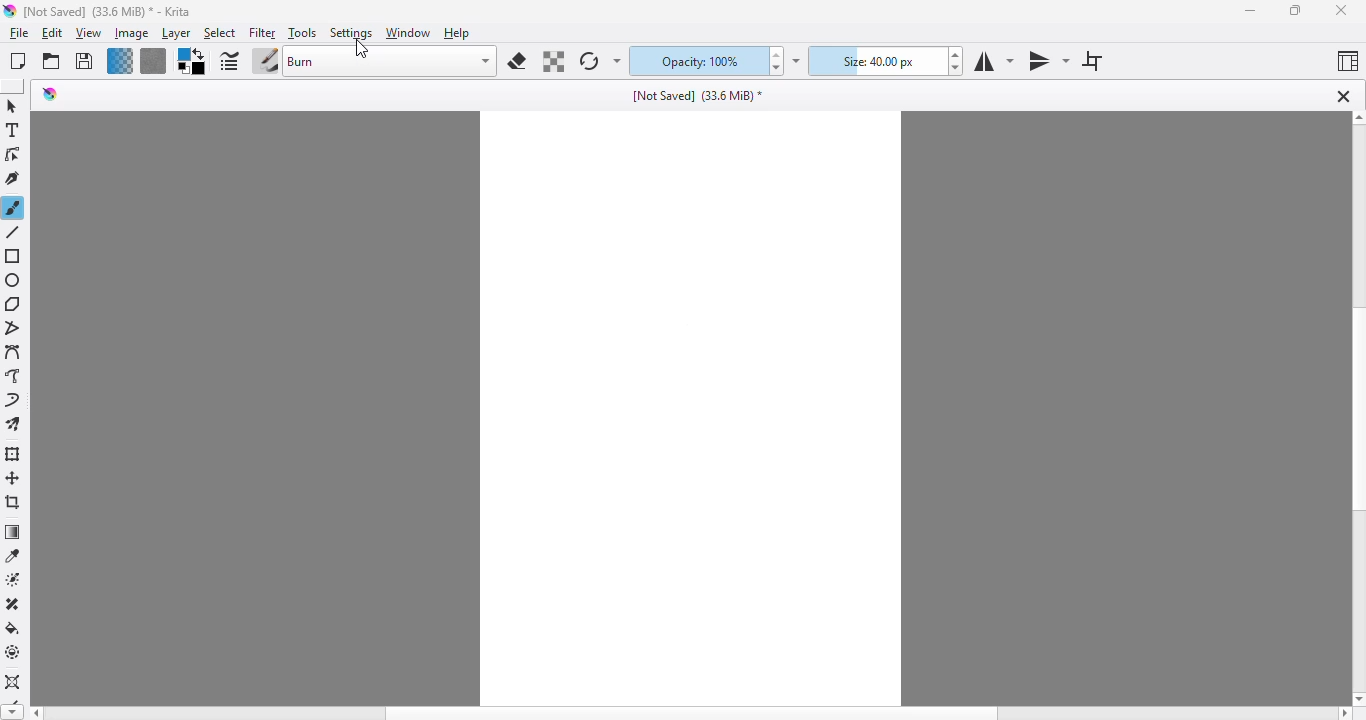 This screenshot has width=1366, height=720. Describe the element at coordinates (12, 155) in the screenshot. I see `edit shapes tool` at that location.